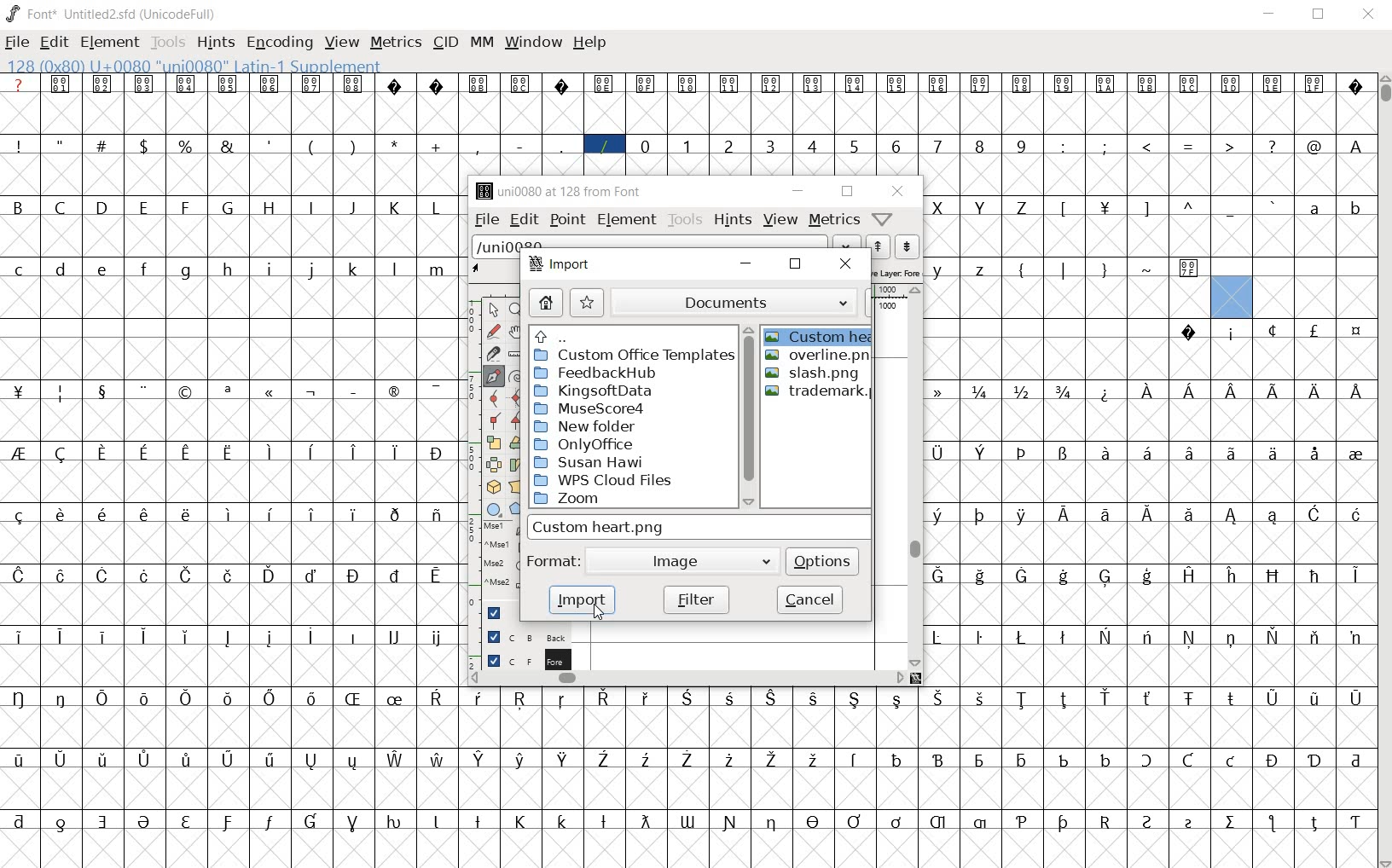 The image size is (1392, 868). I want to click on glyph, so click(102, 84).